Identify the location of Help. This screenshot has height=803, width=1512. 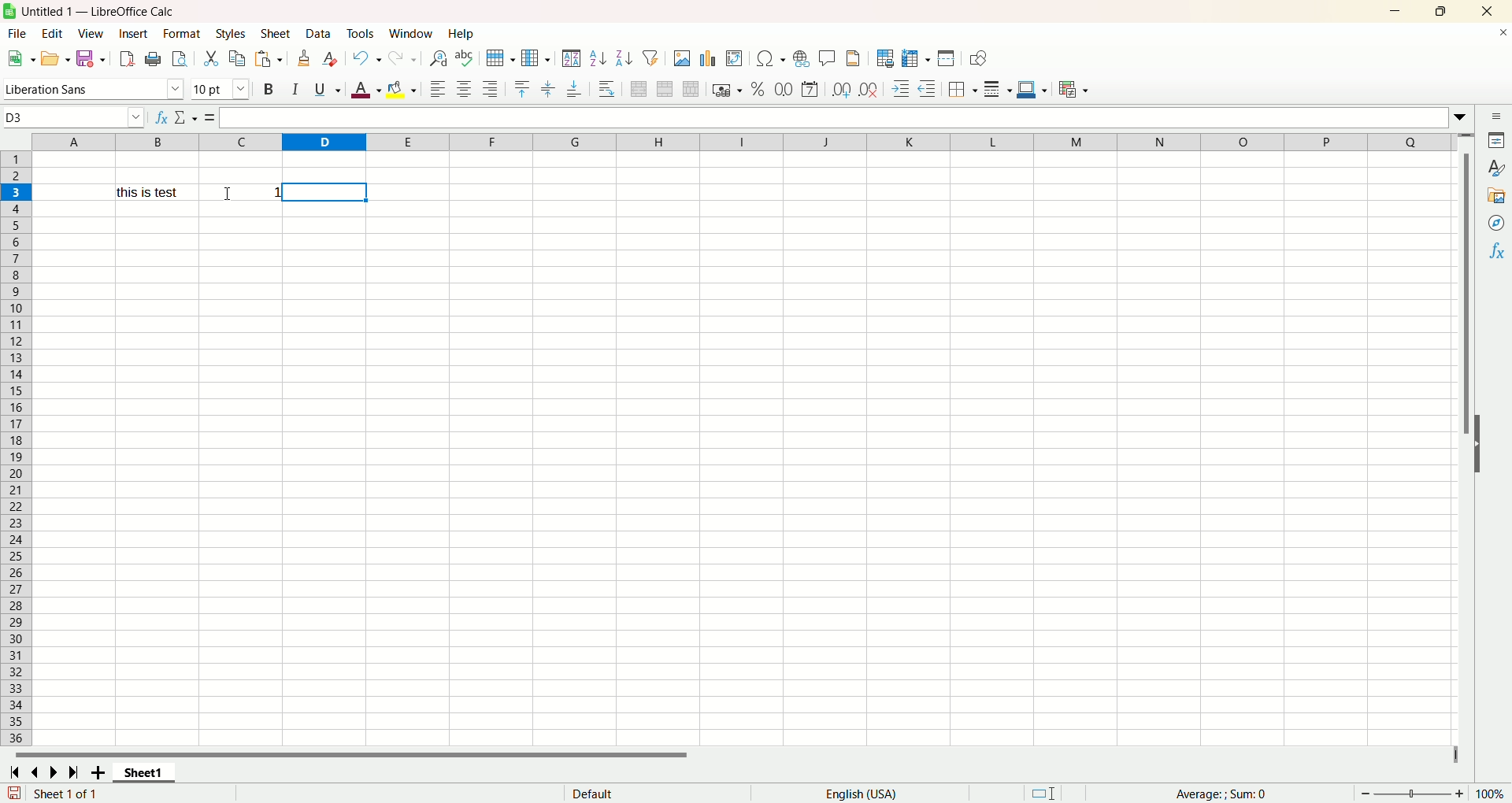
(462, 35).